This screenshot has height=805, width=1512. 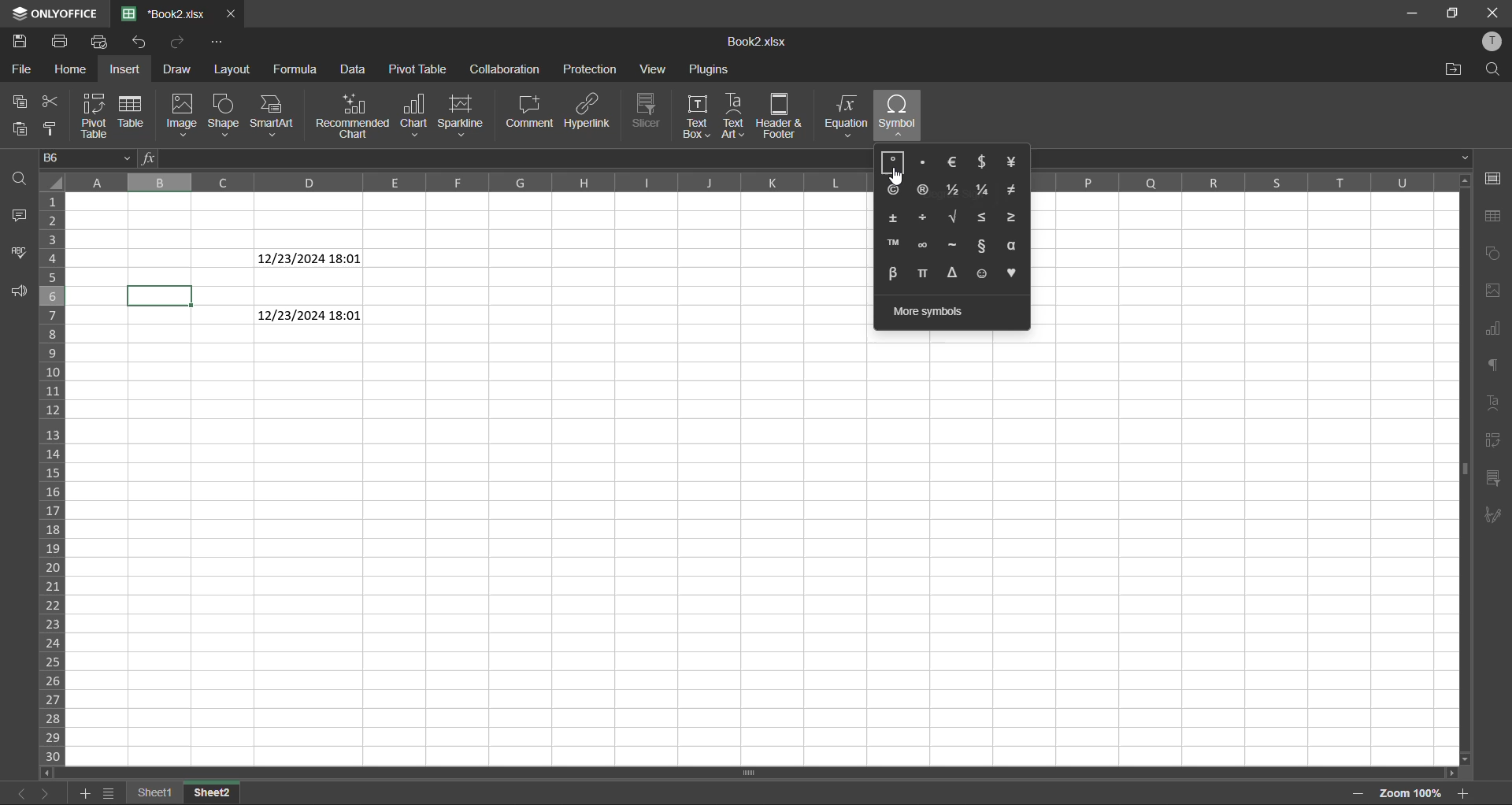 I want to click on hyperlink, so click(x=594, y=110).